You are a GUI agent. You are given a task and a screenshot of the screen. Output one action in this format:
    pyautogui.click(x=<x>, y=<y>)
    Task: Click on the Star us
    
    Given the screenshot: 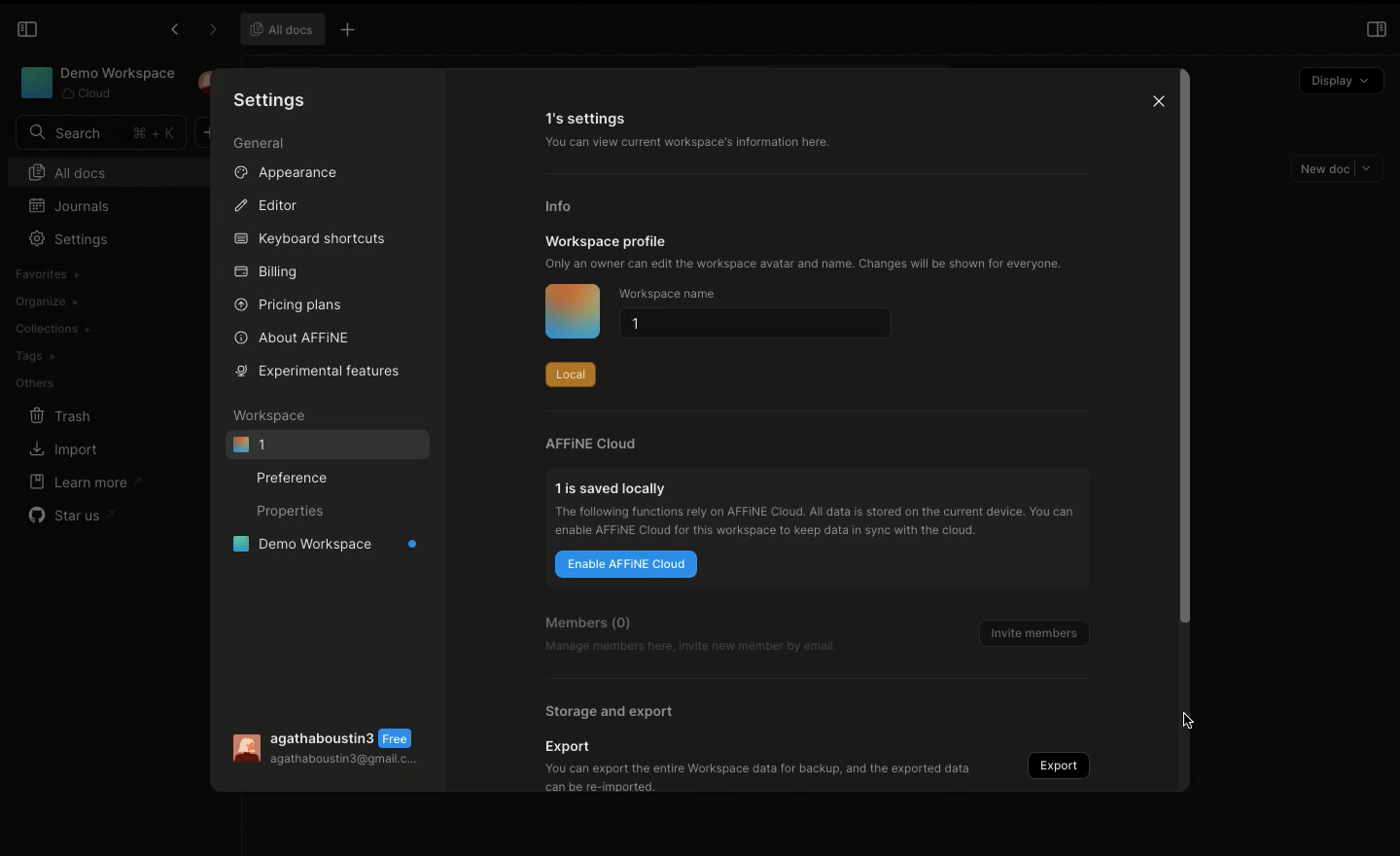 What is the action you would take?
    pyautogui.click(x=70, y=512)
    